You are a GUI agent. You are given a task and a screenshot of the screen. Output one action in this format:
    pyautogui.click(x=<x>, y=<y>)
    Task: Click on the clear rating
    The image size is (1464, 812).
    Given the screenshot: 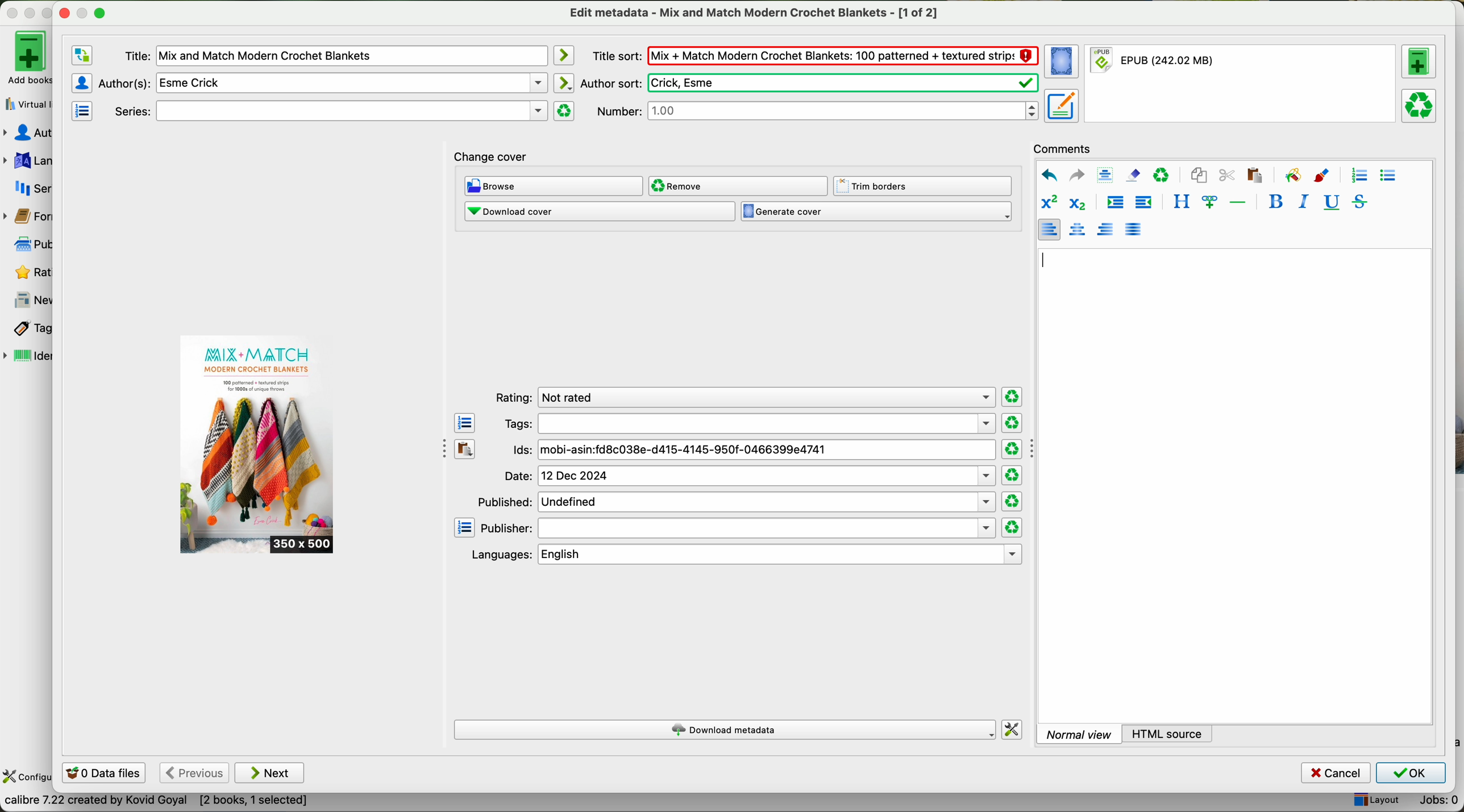 What is the action you would take?
    pyautogui.click(x=1012, y=449)
    